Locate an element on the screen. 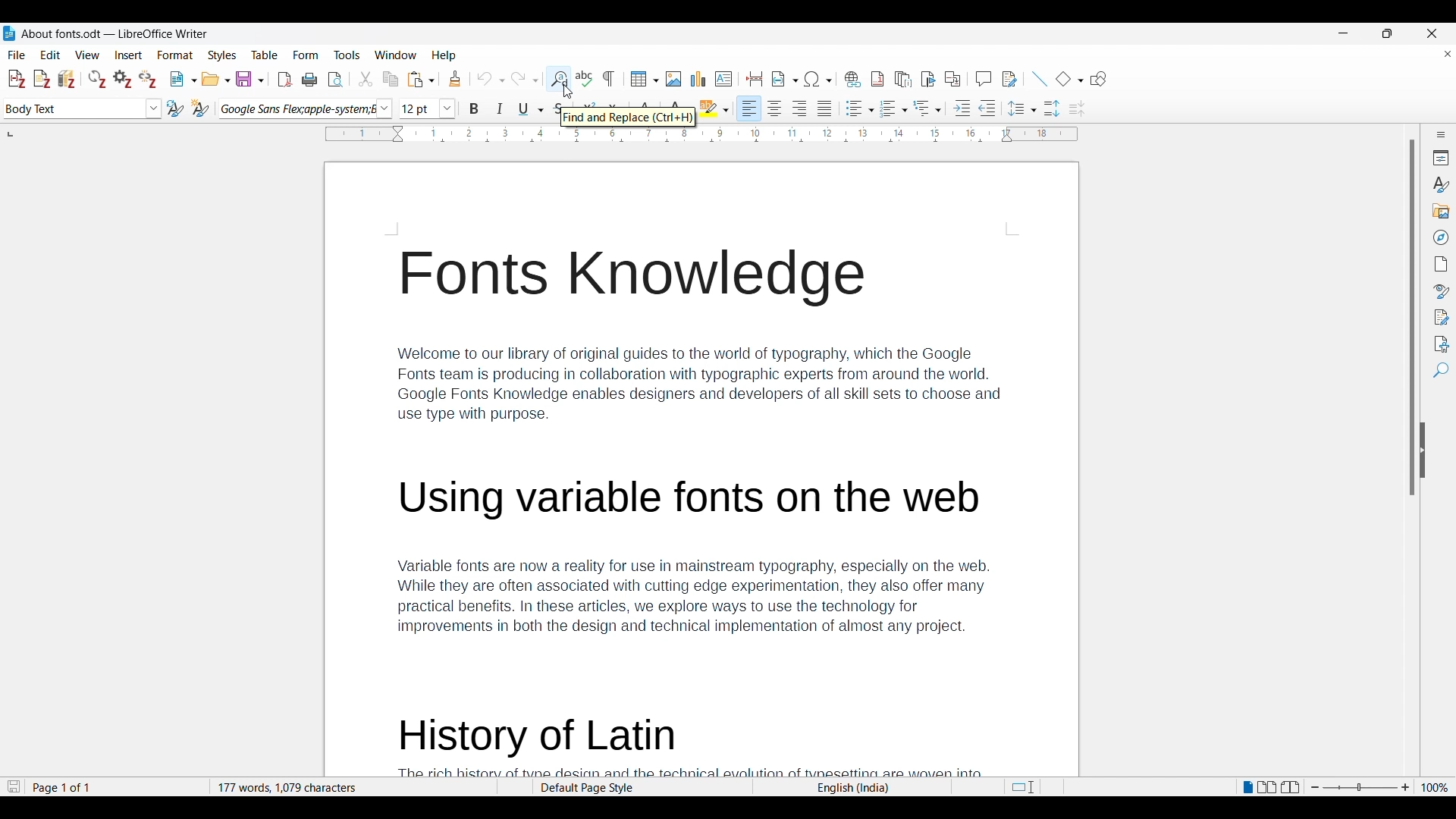 This screenshot has height=819, width=1456. Cut is located at coordinates (365, 79).